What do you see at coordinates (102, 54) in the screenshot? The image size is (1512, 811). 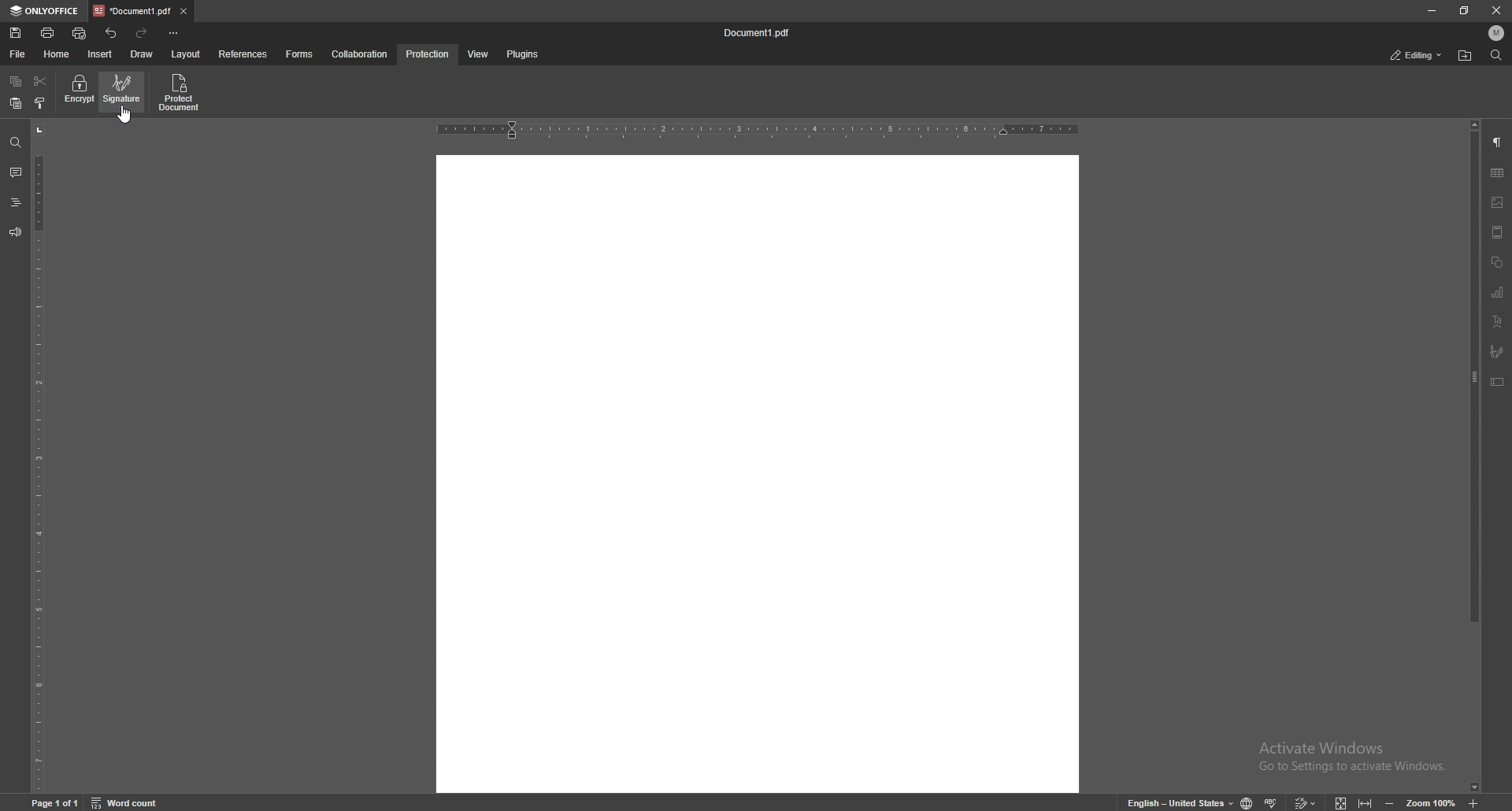 I see `insert` at bounding box center [102, 54].